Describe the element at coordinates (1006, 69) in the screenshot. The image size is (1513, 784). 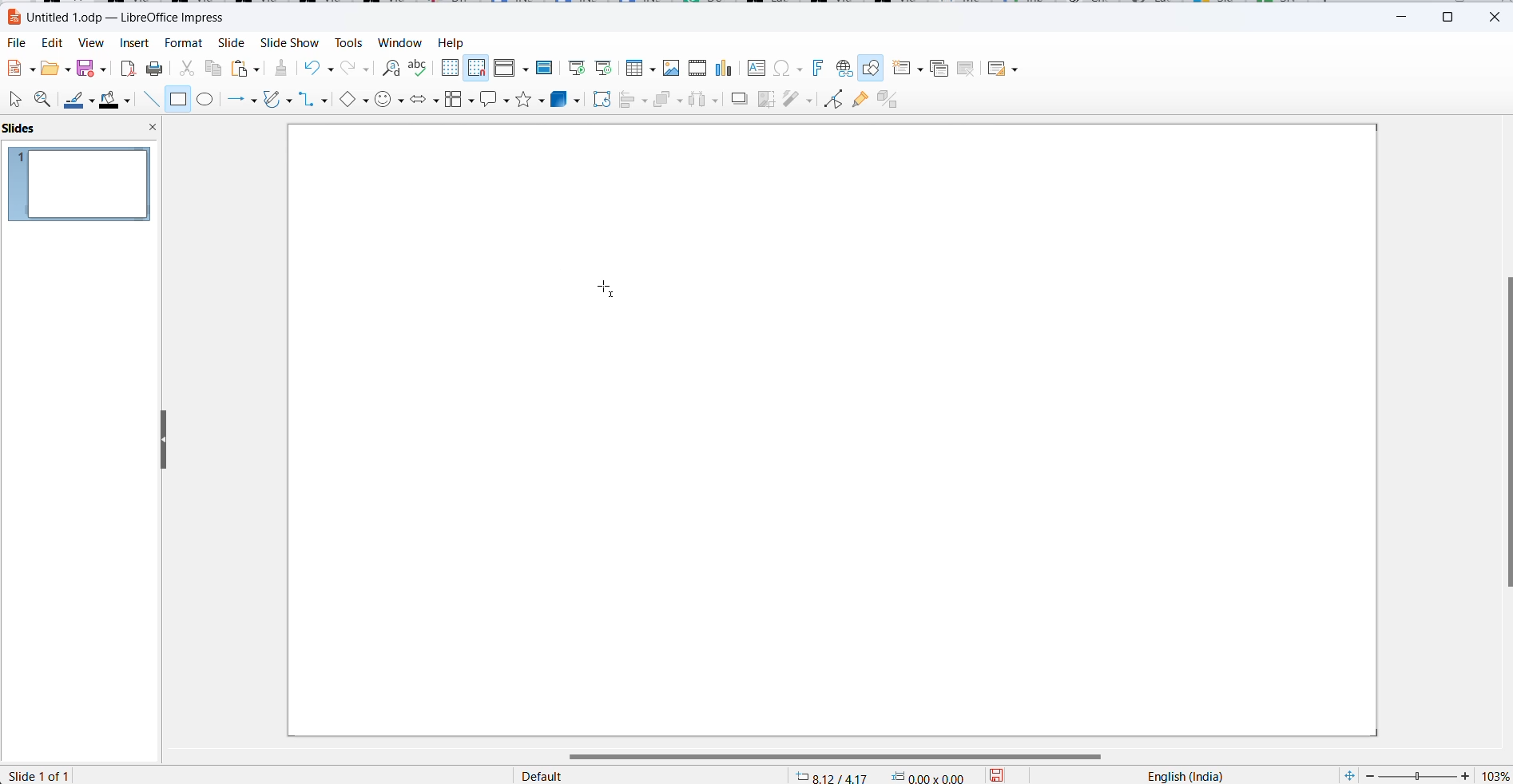
I see `Slide layout` at that location.